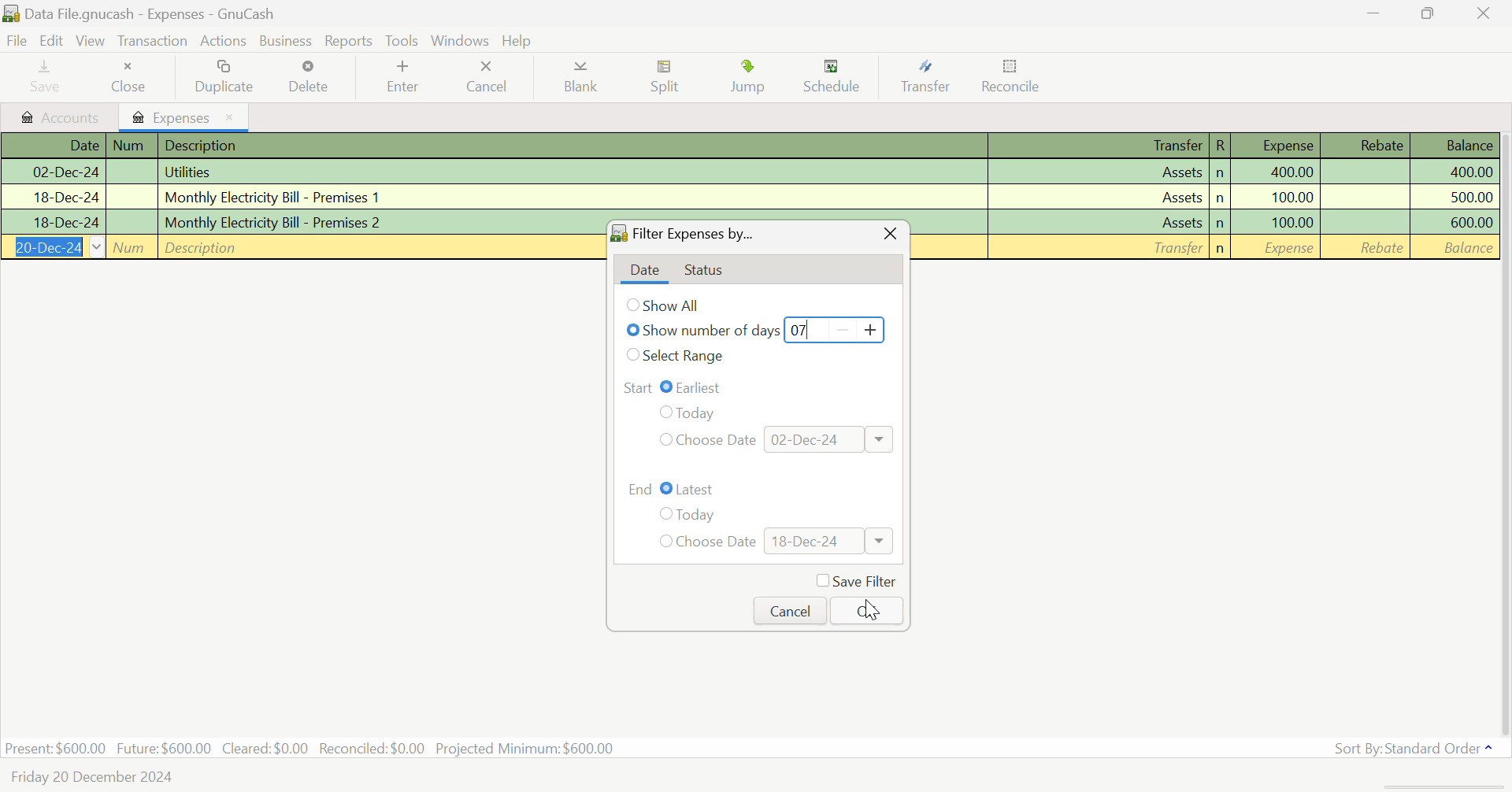  What do you see at coordinates (669, 305) in the screenshot?
I see `Show All` at bounding box center [669, 305].